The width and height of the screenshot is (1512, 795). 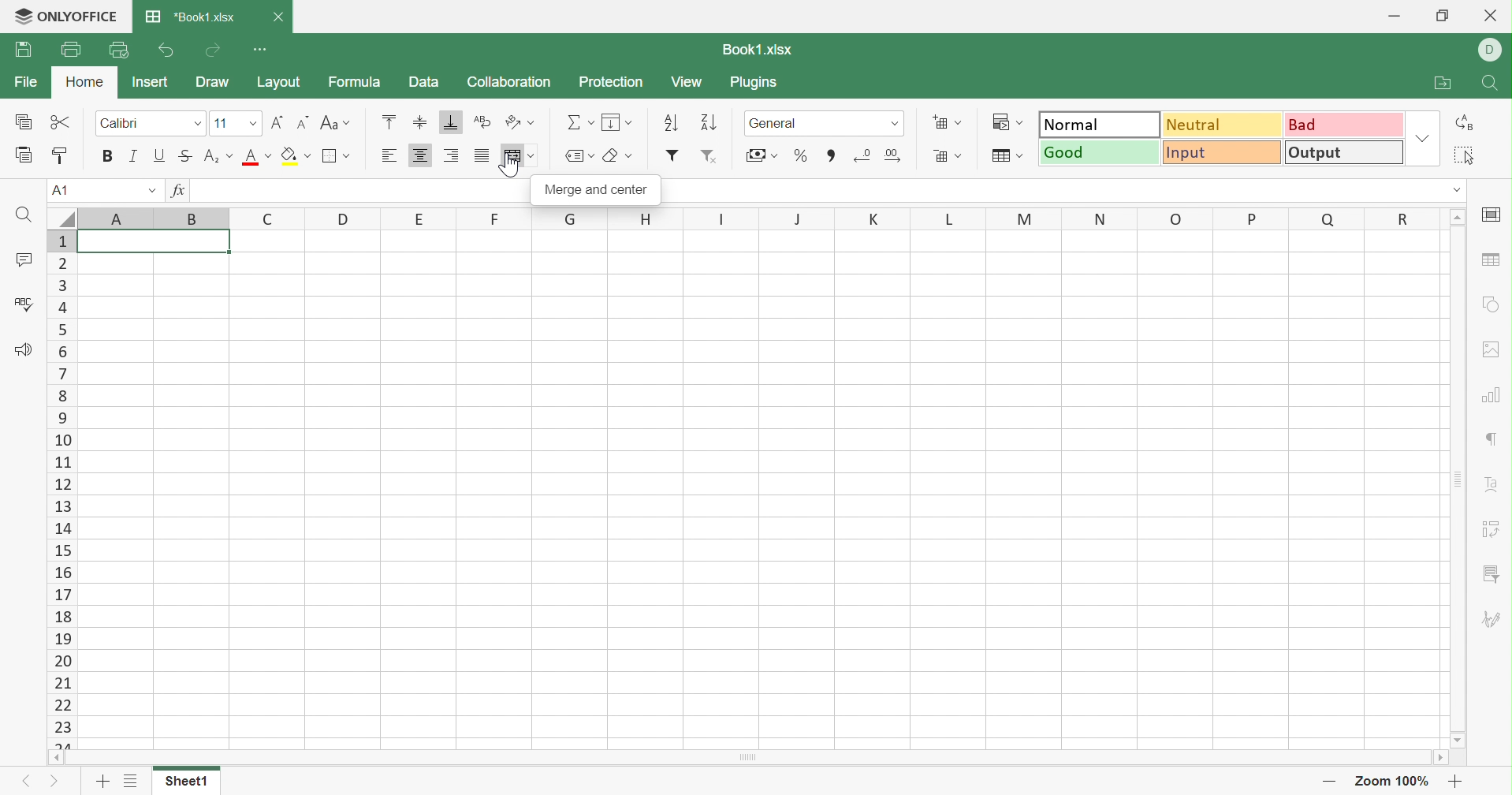 What do you see at coordinates (279, 121) in the screenshot?
I see `Increment font size` at bounding box center [279, 121].